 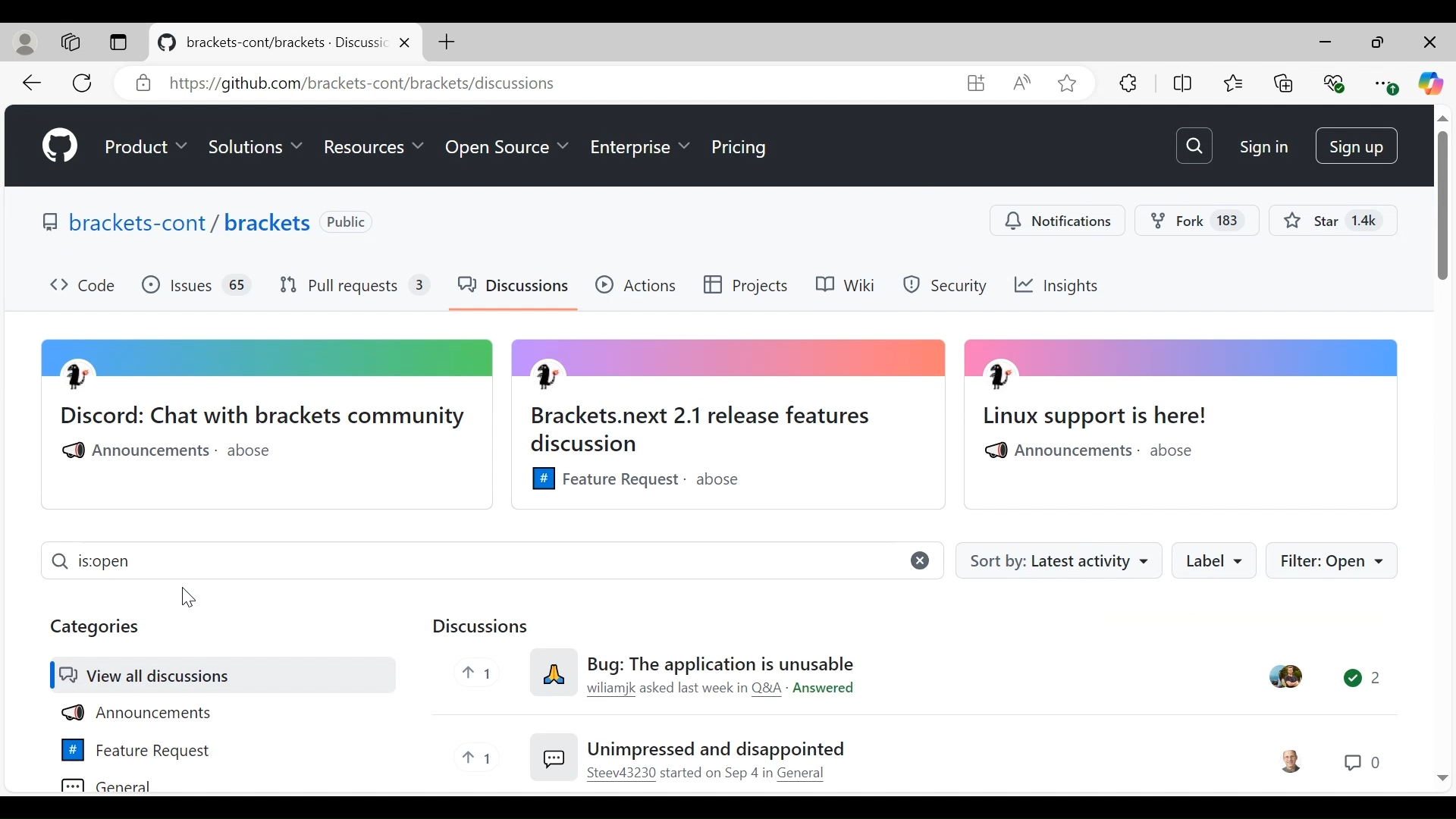 I want to click on View all discussions, so click(x=224, y=676).